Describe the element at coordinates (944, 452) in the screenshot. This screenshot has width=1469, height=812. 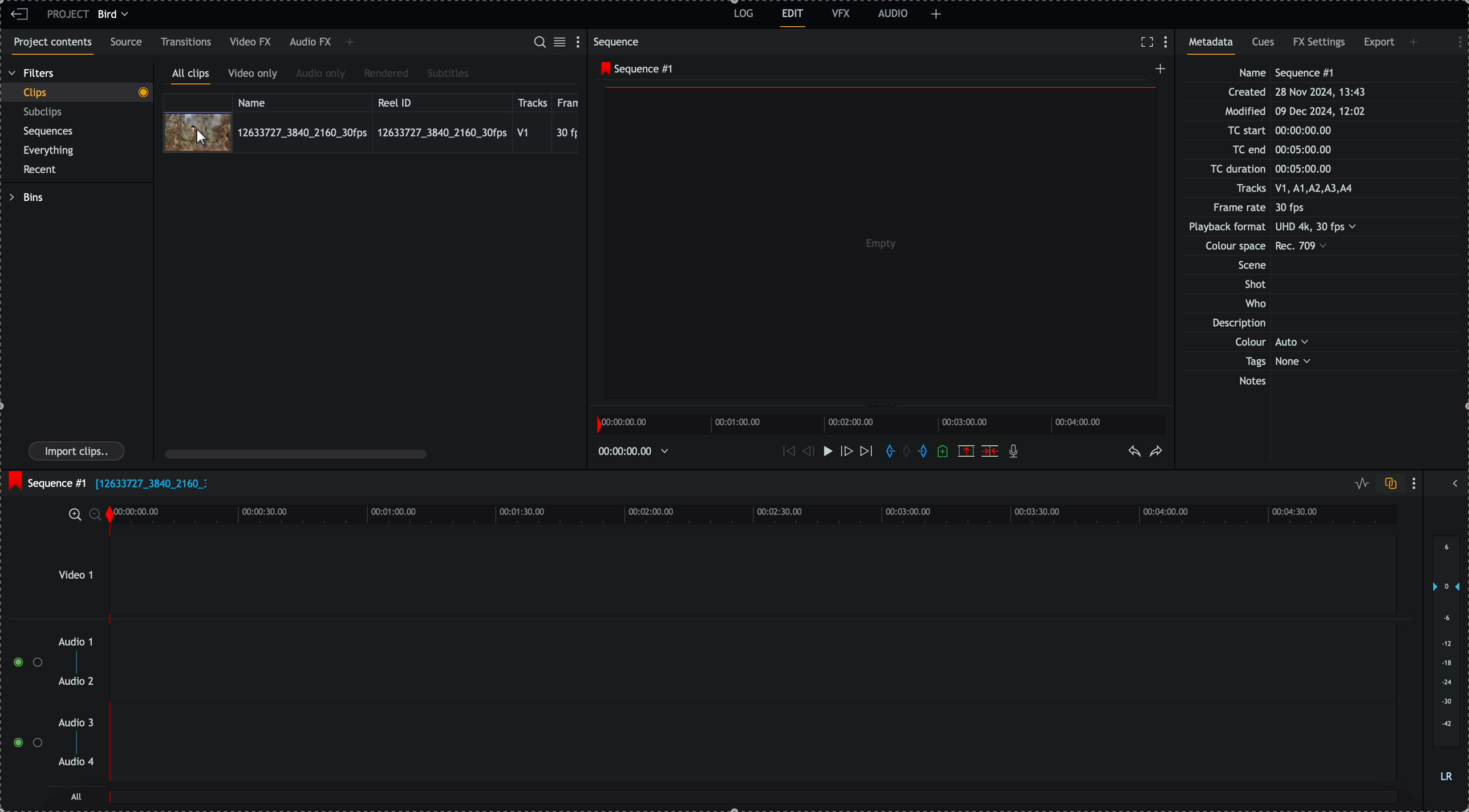
I see `add a cue at the current position` at that location.